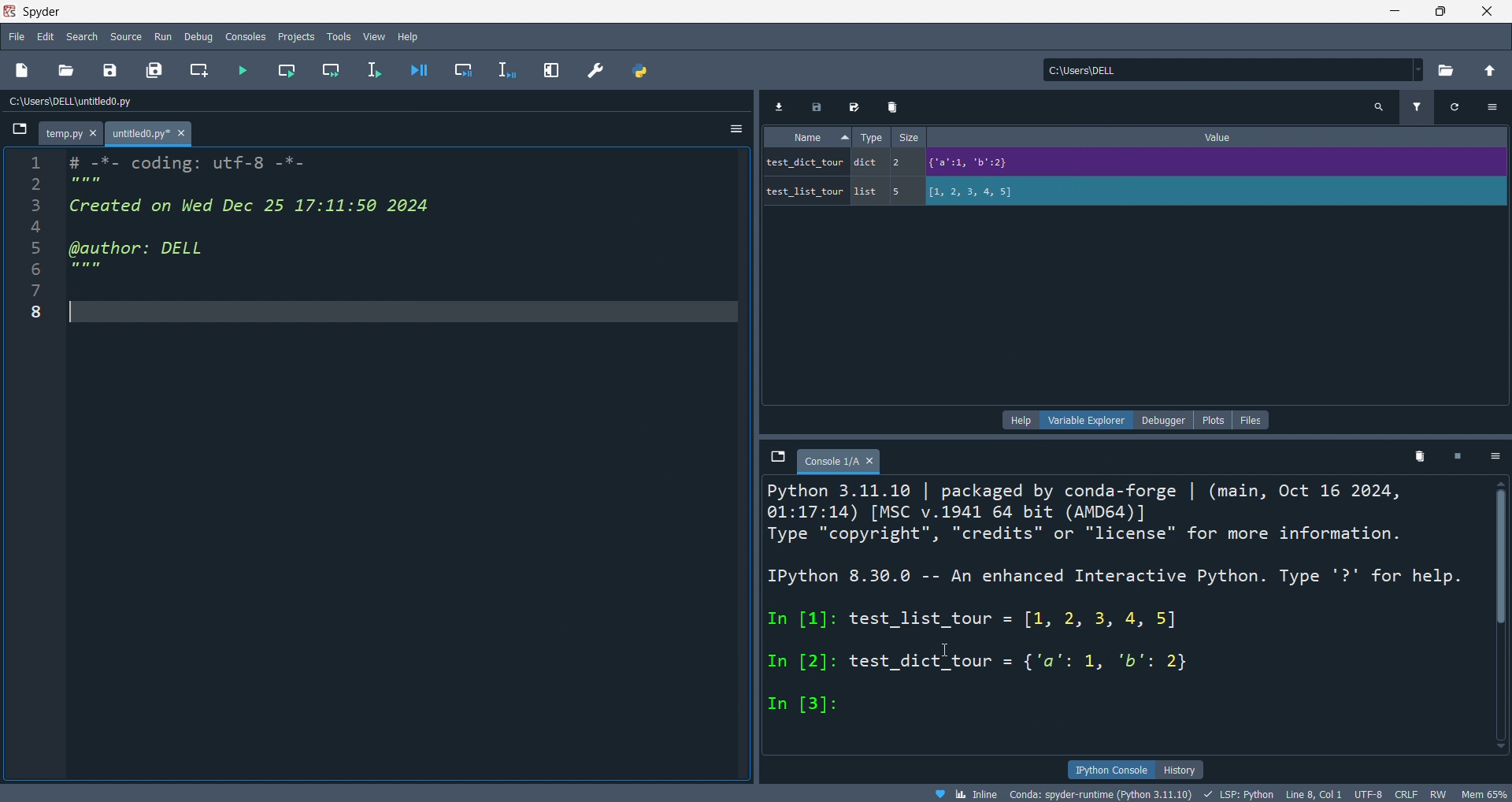 The width and height of the screenshot is (1512, 802). I want to click on save, so click(113, 70).